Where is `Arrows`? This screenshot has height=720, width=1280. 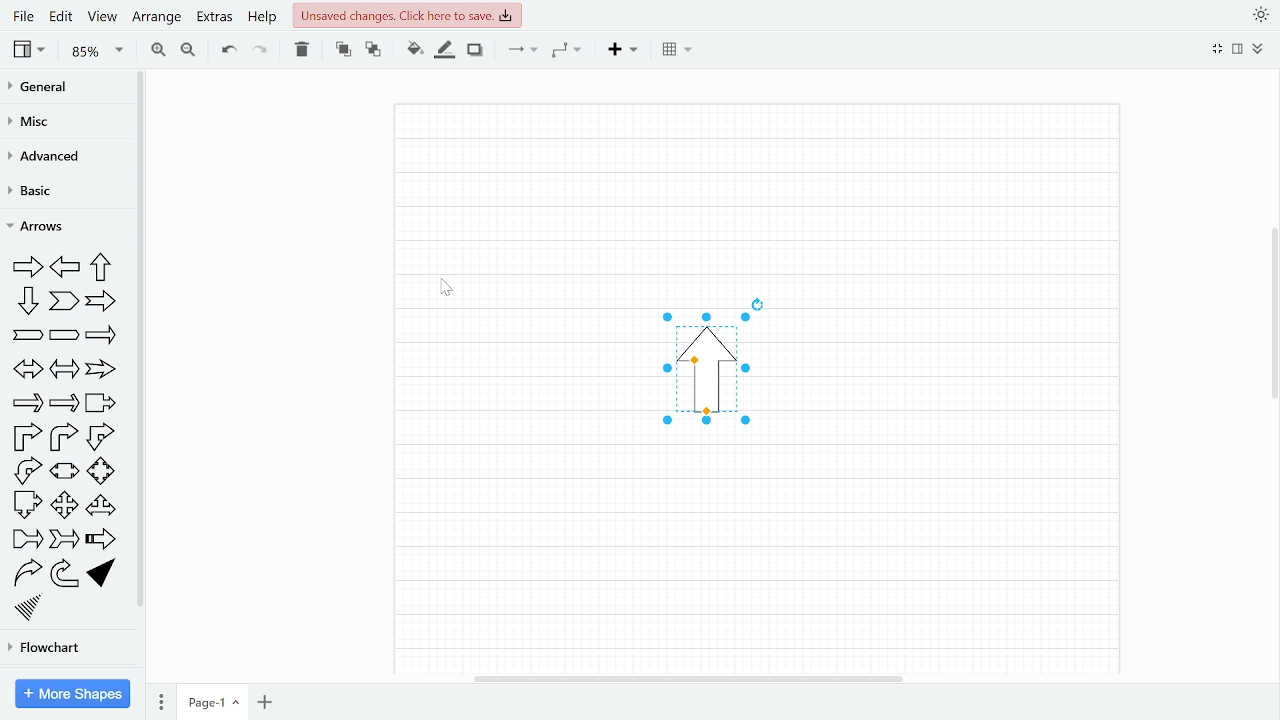
Arrows is located at coordinates (45, 227).